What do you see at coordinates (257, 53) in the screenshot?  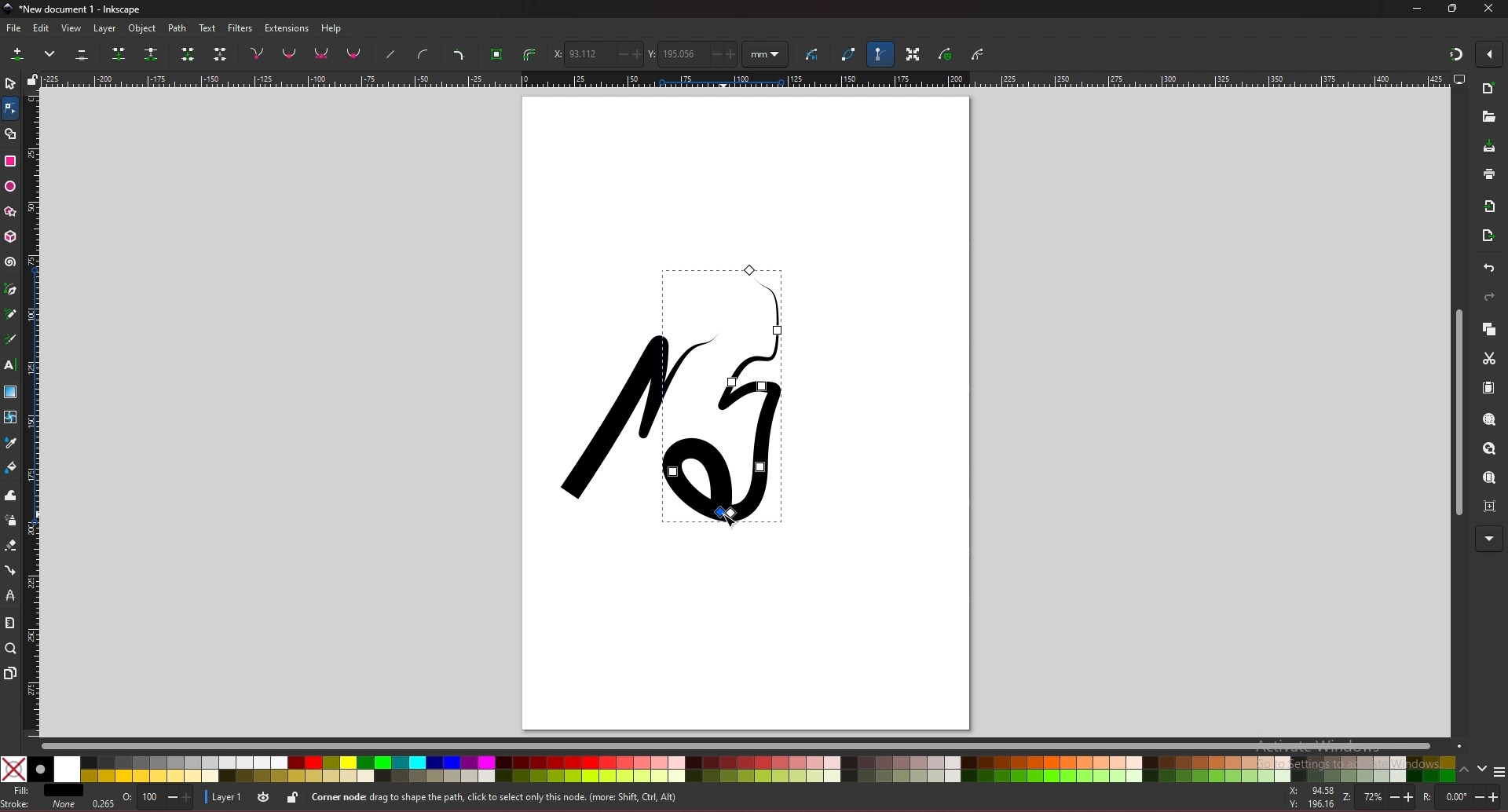 I see `node corner` at bounding box center [257, 53].